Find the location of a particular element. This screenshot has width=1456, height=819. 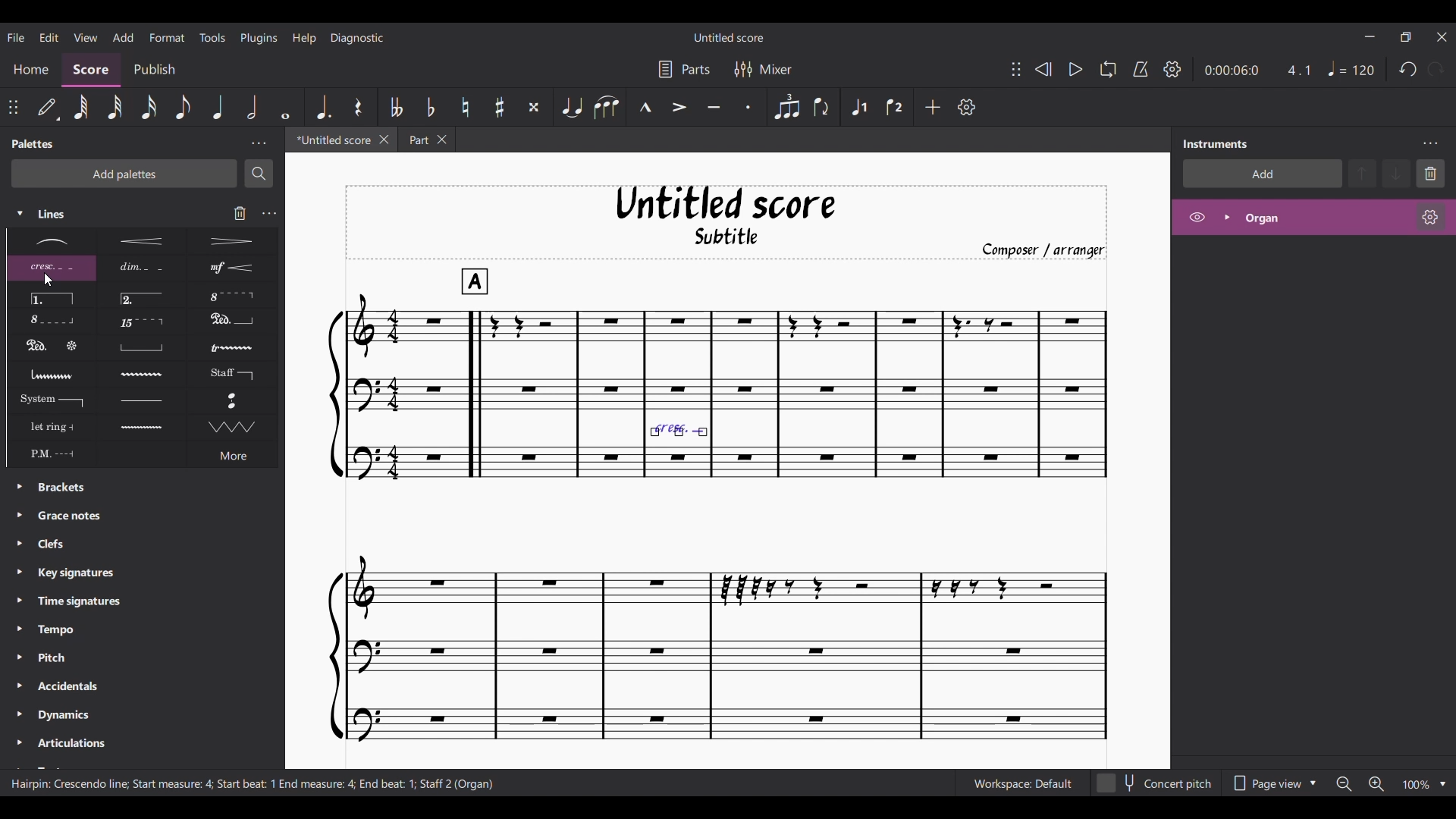

Home section is located at coordinates (30, 70).